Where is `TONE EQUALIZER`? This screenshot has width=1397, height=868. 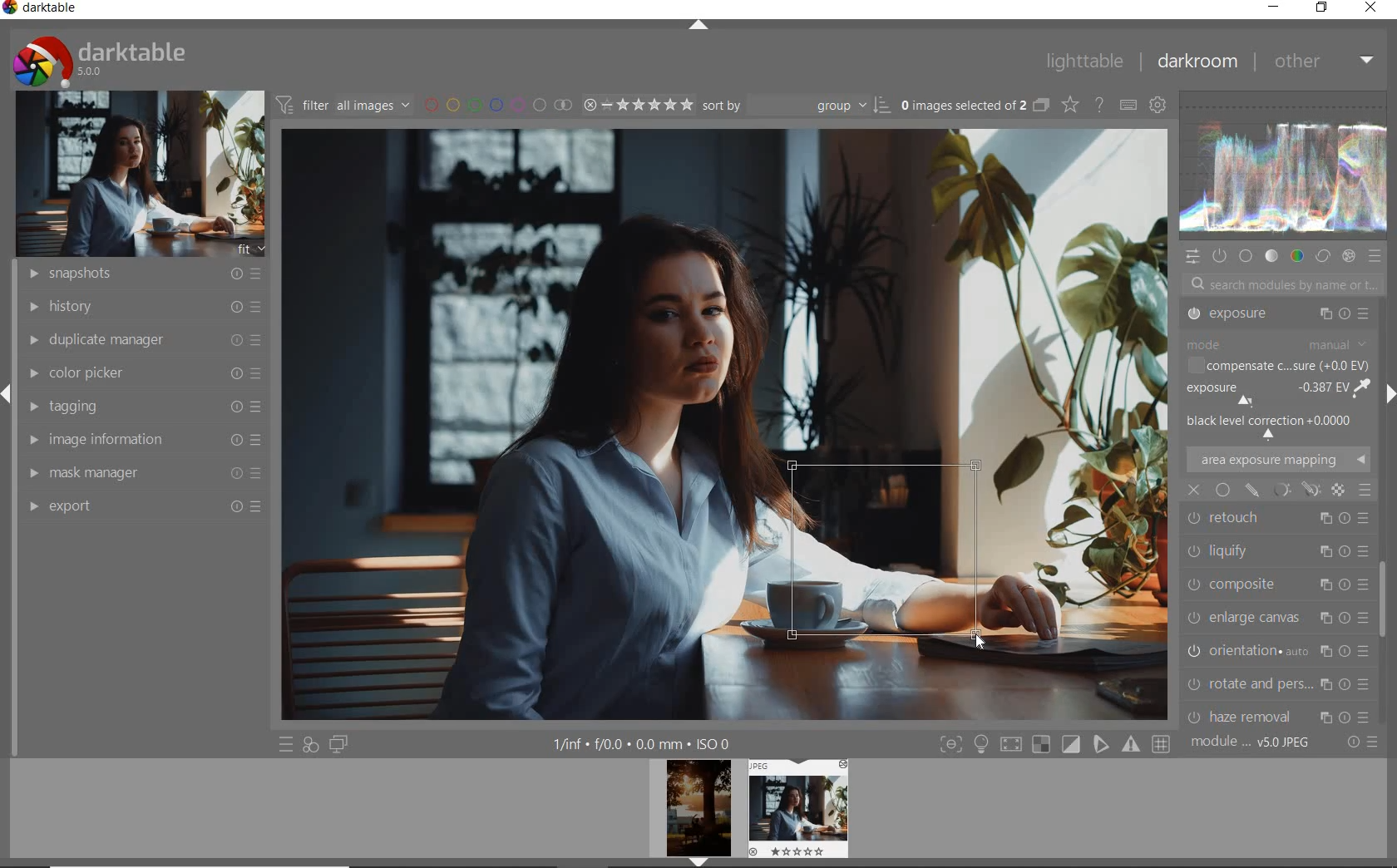 TONE EQUALIZER is located at coordinates (1276, 353).